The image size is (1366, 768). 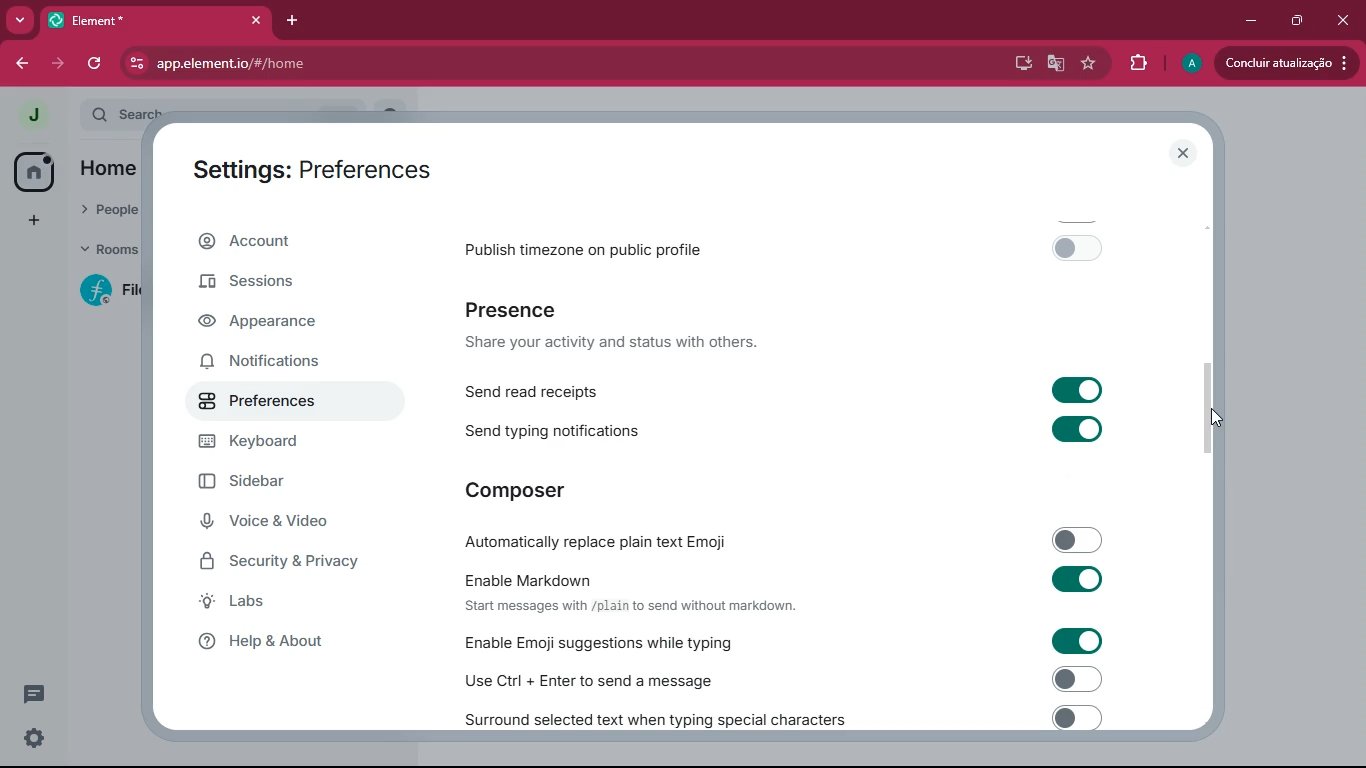 I want to click on account, so click(x=277, y=245).